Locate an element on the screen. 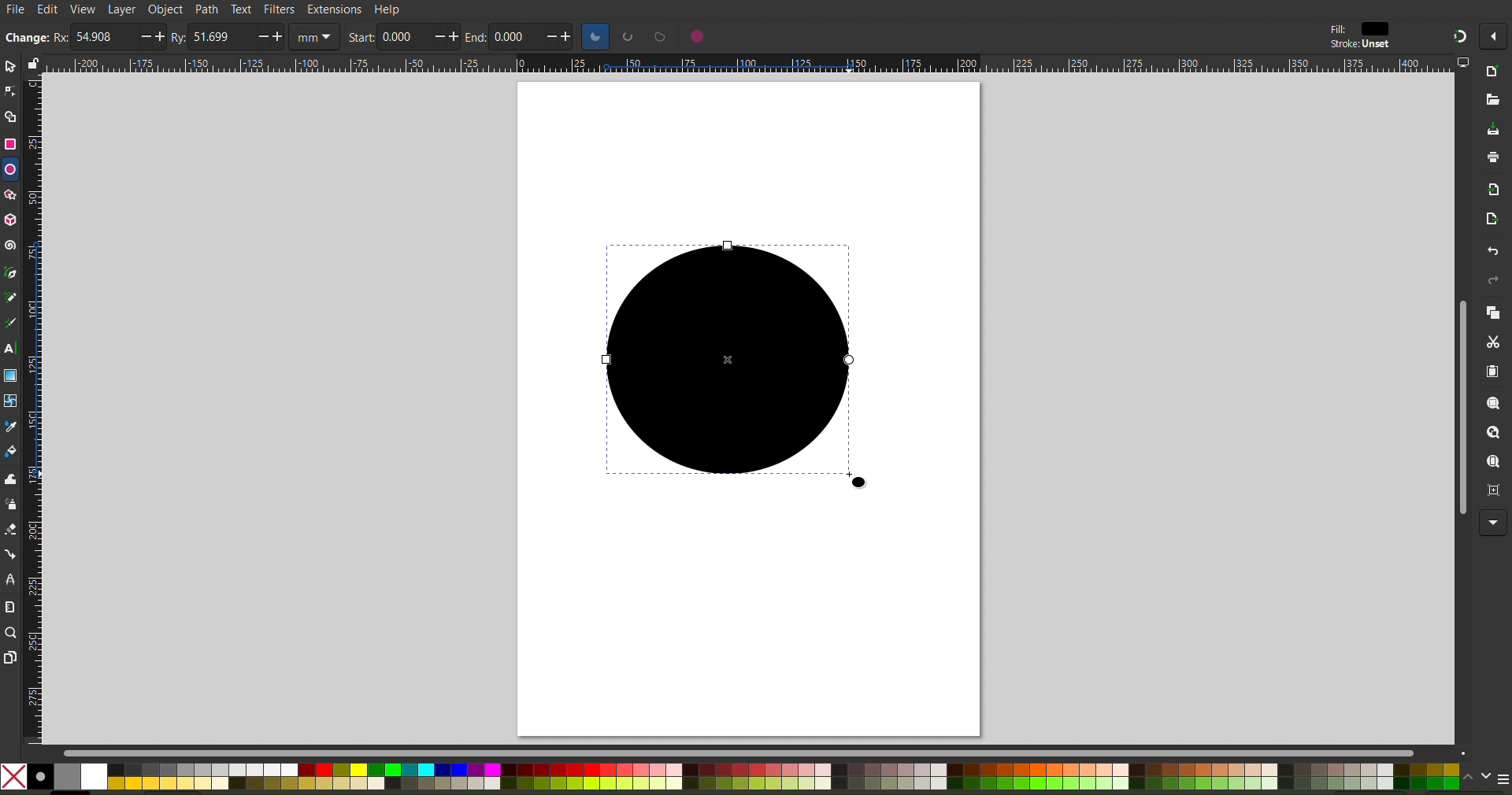  View is located at coordinates (83, 11).